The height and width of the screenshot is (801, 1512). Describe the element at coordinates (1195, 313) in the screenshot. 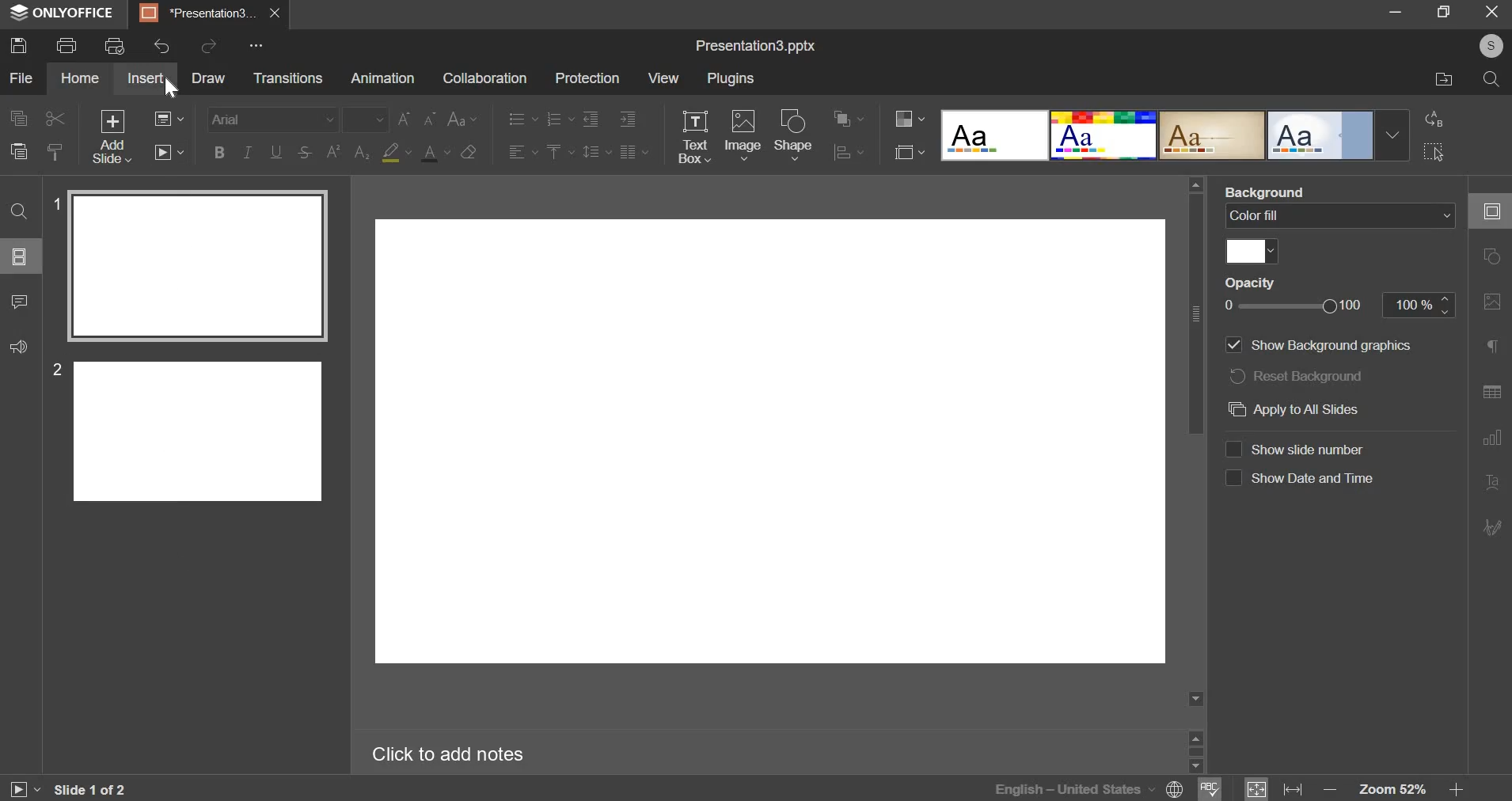

I see `vertical scrollbar` at that location.